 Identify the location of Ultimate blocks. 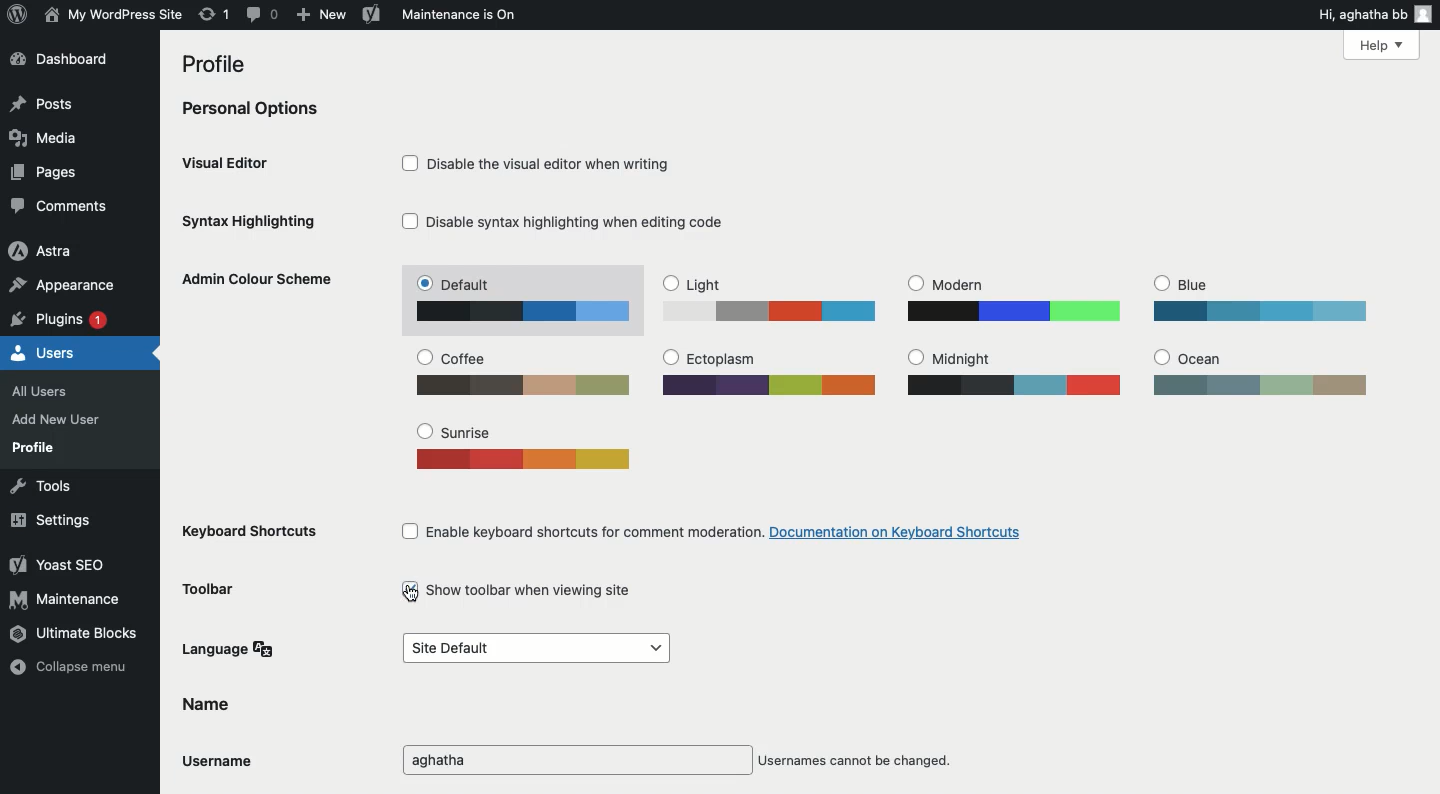
(76, 634).